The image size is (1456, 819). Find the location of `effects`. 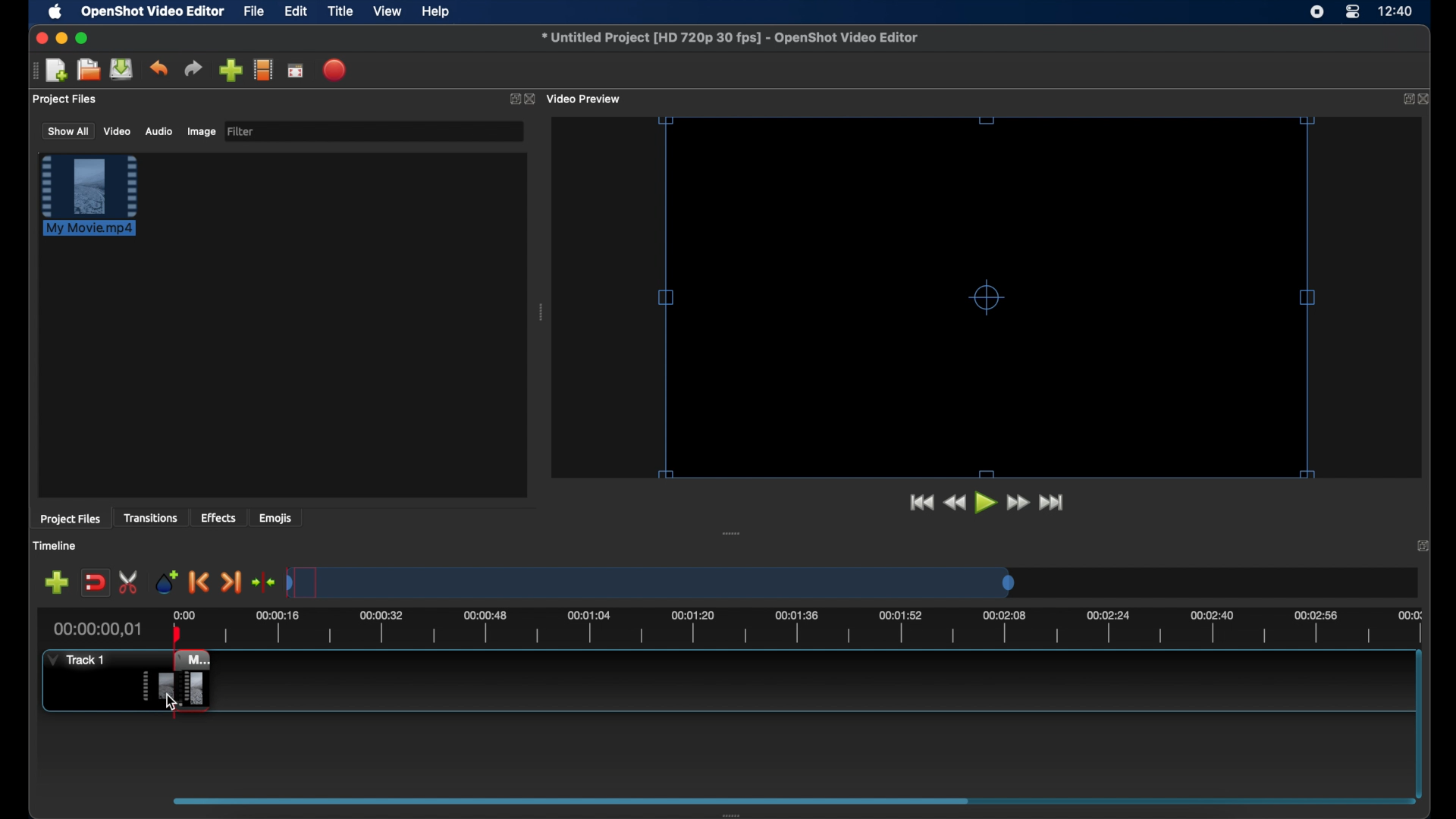

effects is located at coordinates (218, 517).